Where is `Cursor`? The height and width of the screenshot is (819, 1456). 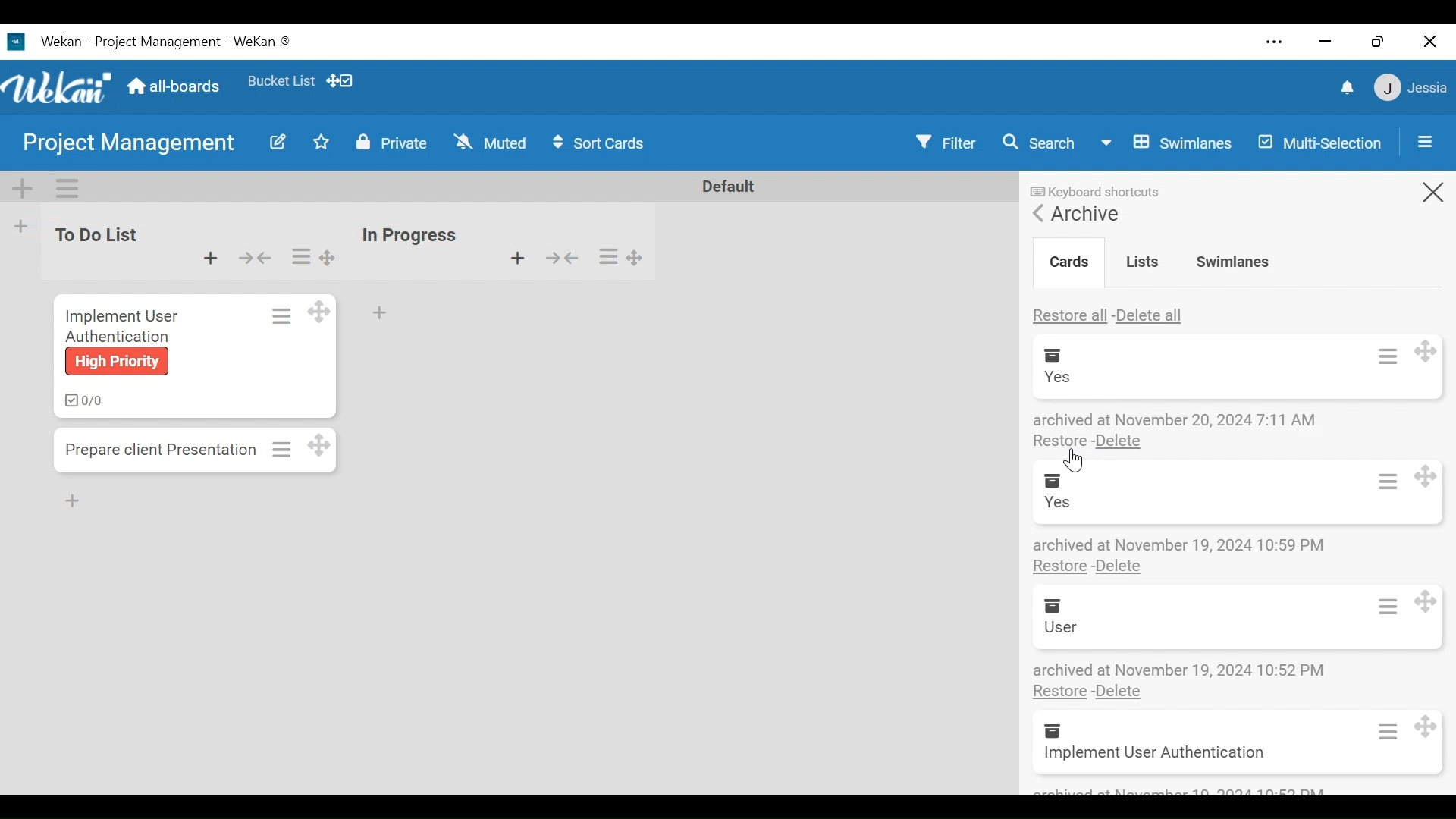
Cursor is located at coordinates (1072, 462).